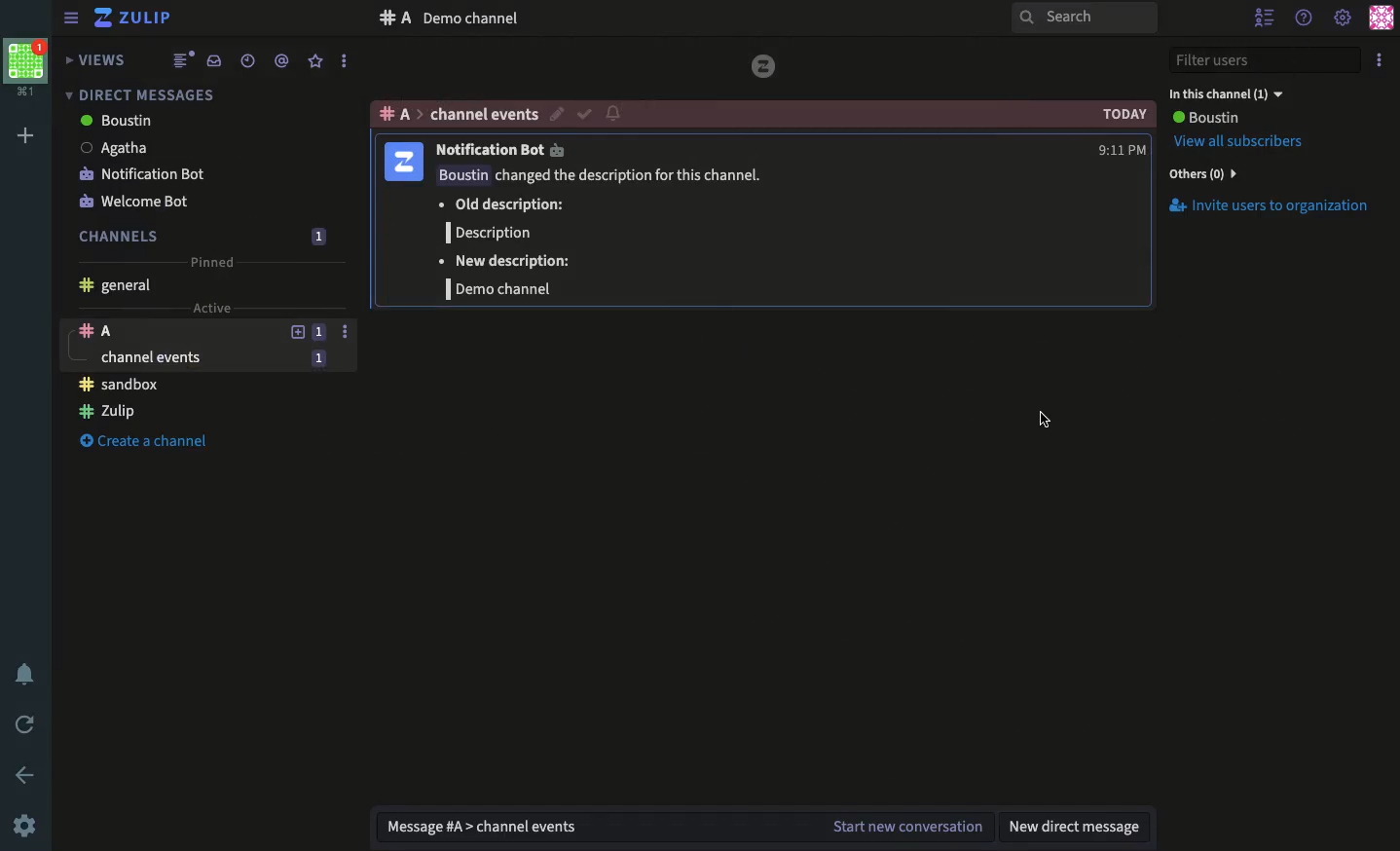 The height and width of the screenshot is (851, 1400). I want to click on Hide menu, so click(68, 18).